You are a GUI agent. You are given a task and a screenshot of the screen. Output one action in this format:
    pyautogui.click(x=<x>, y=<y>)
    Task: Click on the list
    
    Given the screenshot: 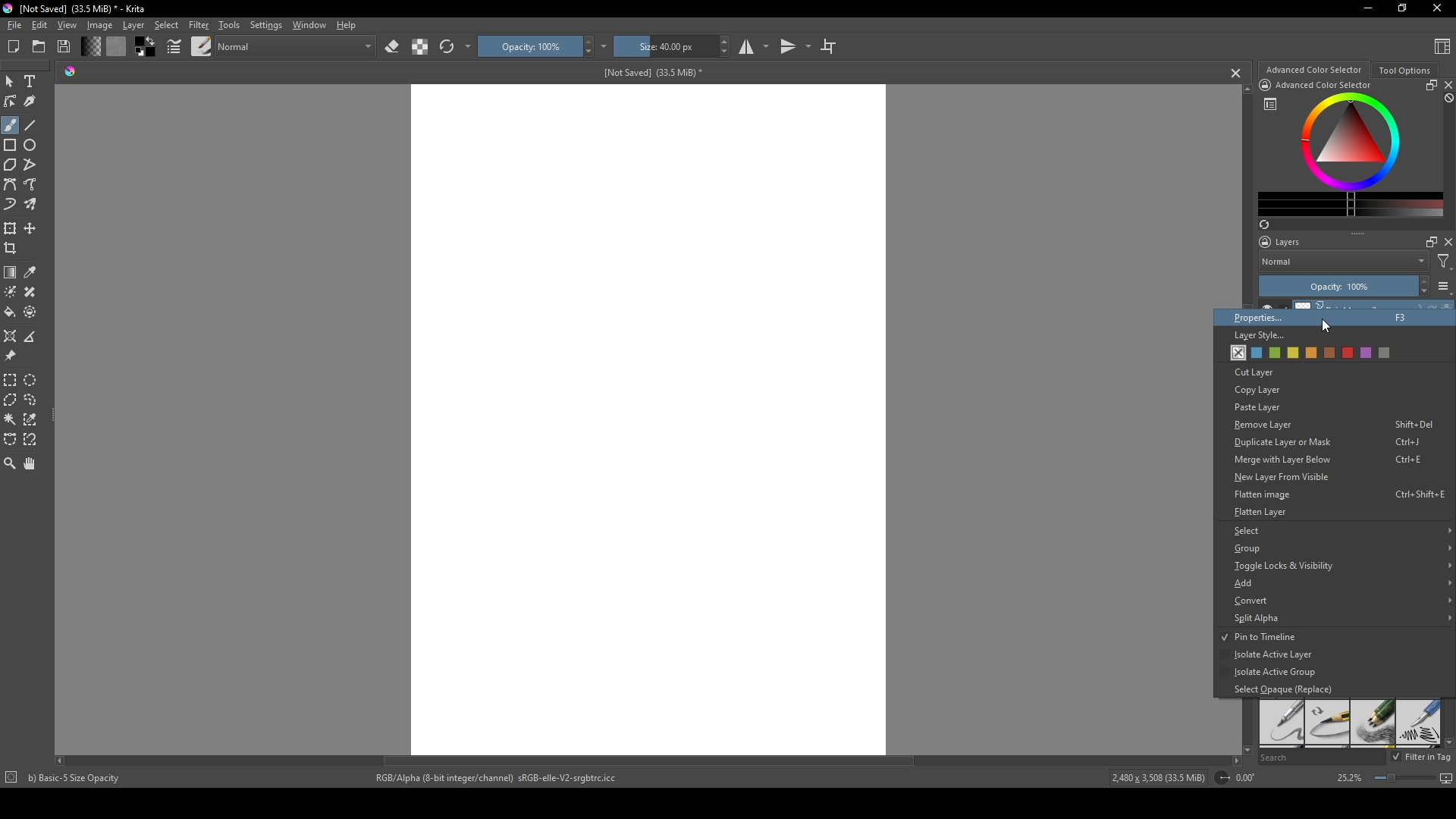 What is the action you would take?
    pyautogui.click(x=1270, y=104)
    